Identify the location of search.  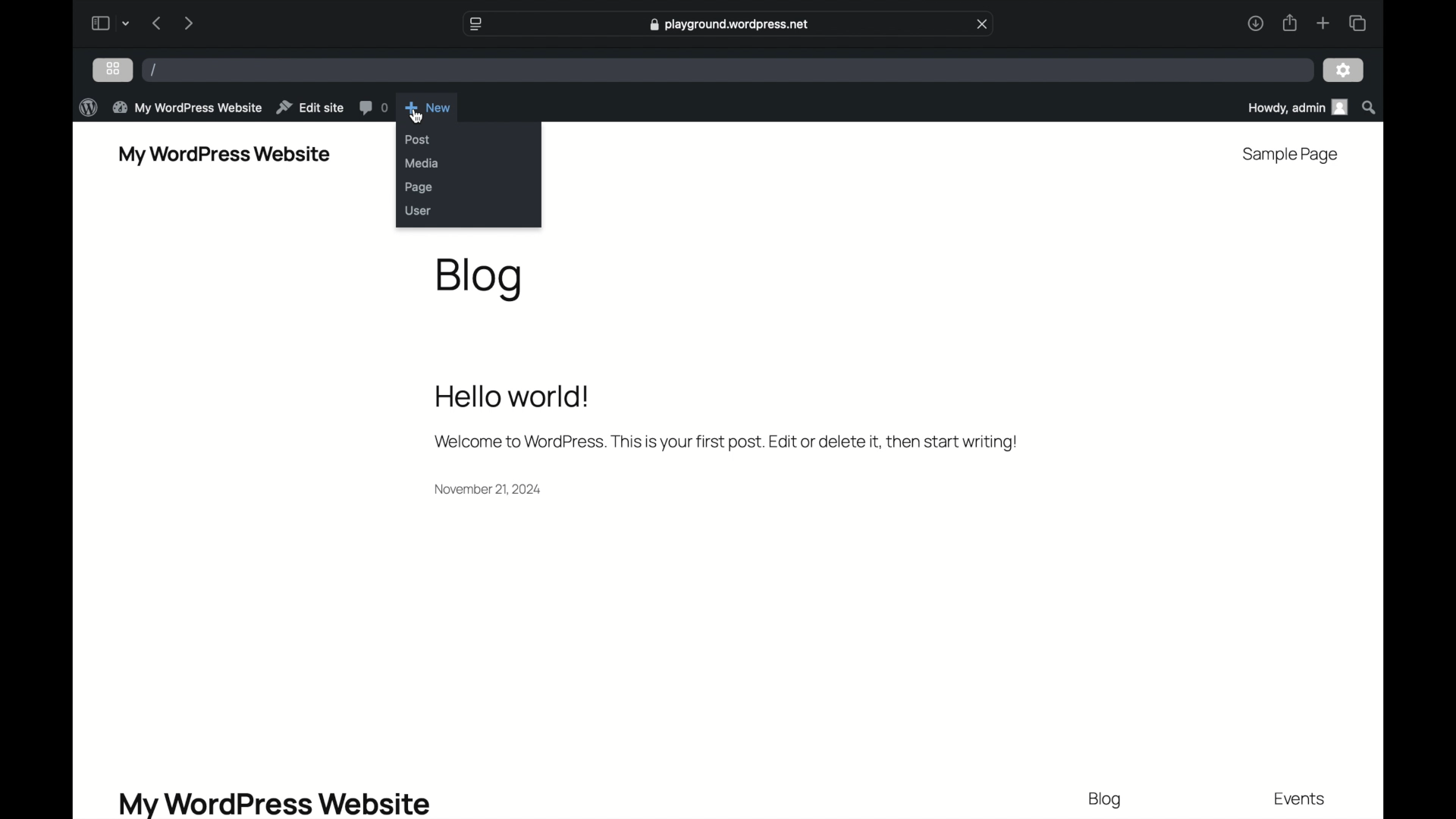
(1370, 107).